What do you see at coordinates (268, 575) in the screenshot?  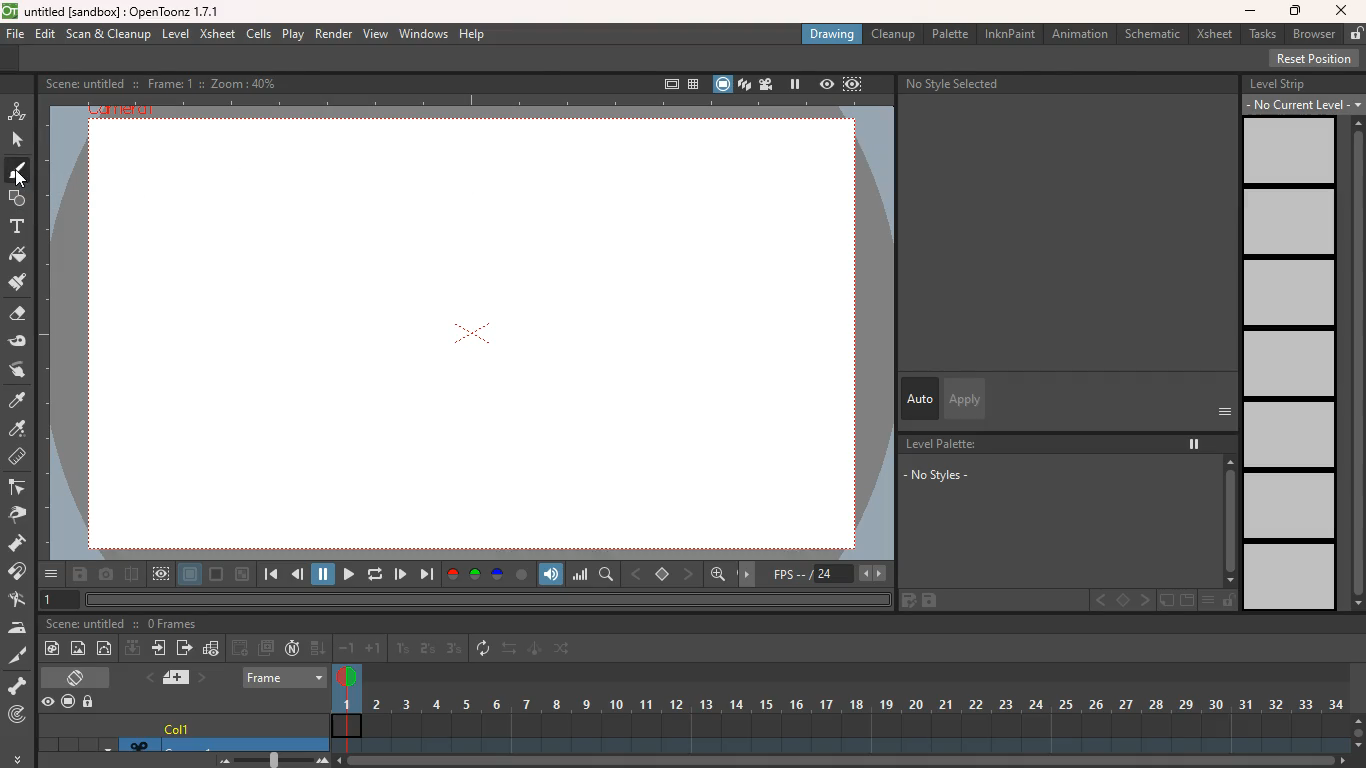 I see `beggining` at bounding box center [268, 575].